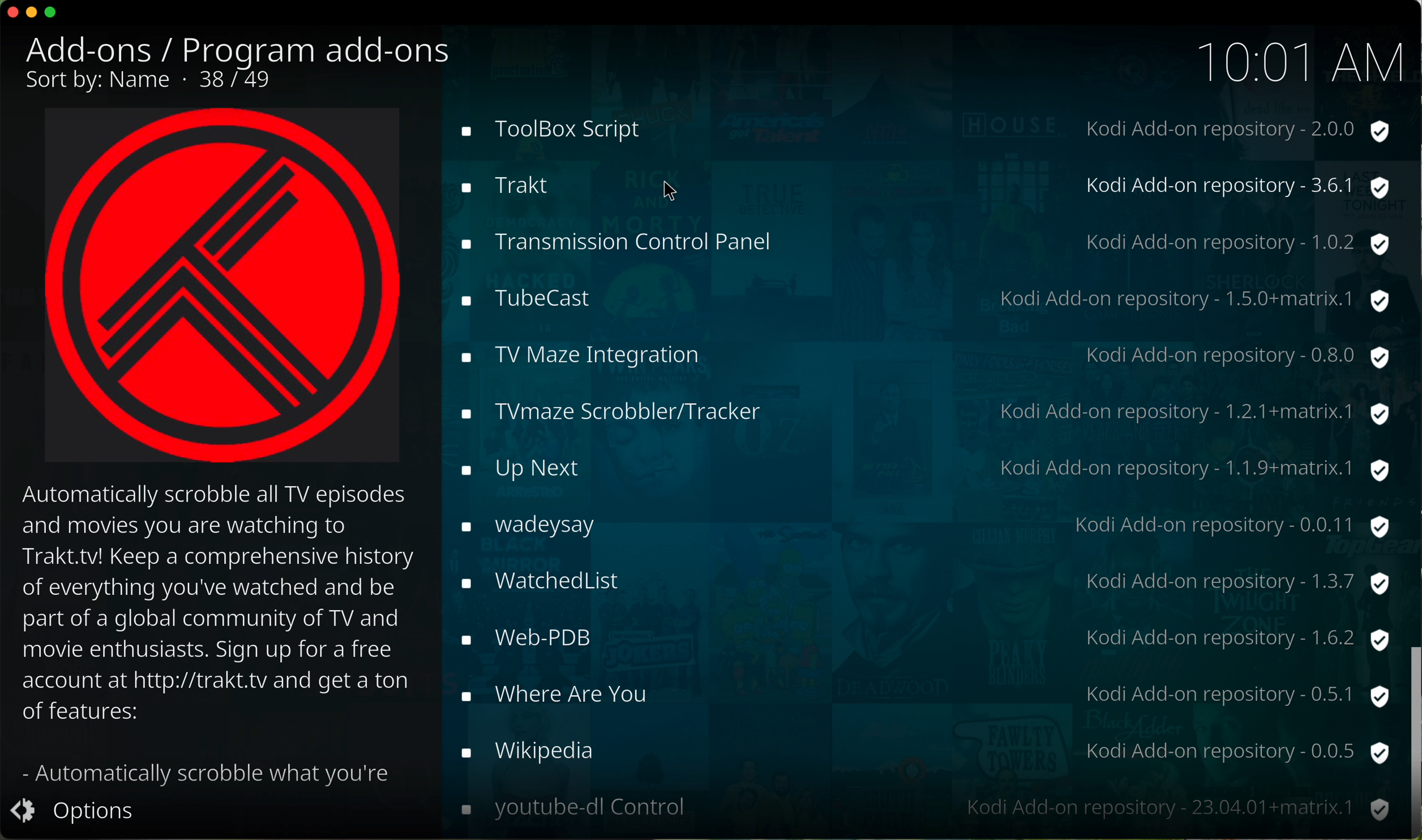 The height and width of the screenshot is (840, 1422). Describe the element at coordinates (923, 466) in the screenshot. I see `up next` at that location.